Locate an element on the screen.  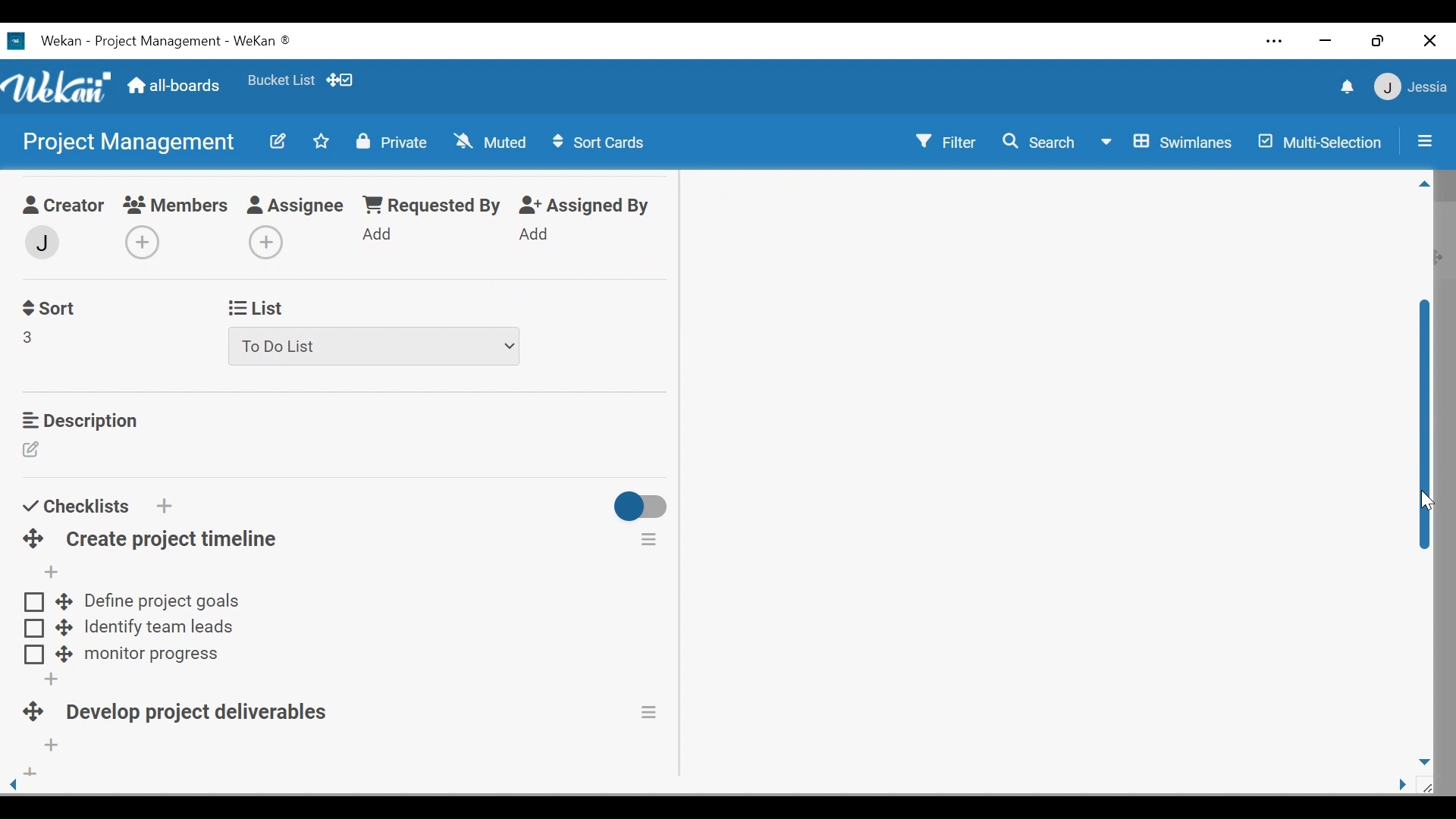
add is located at coordinates (28, 773).